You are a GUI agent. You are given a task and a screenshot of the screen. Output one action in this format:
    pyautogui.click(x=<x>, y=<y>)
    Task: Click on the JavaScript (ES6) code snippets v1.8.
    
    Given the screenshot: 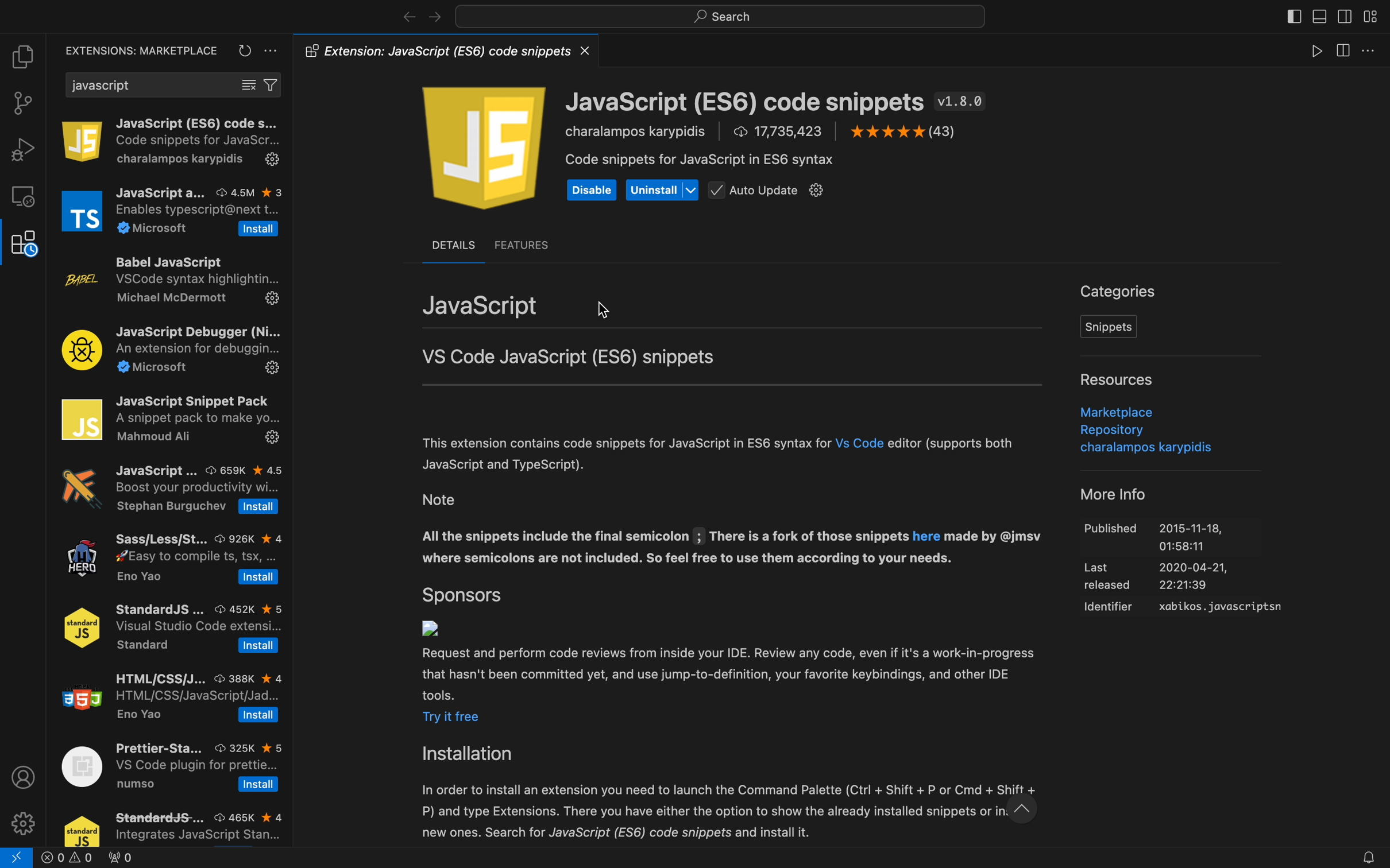 What is the action you would take?
    pyautogui.click(x=776, y=102)
    